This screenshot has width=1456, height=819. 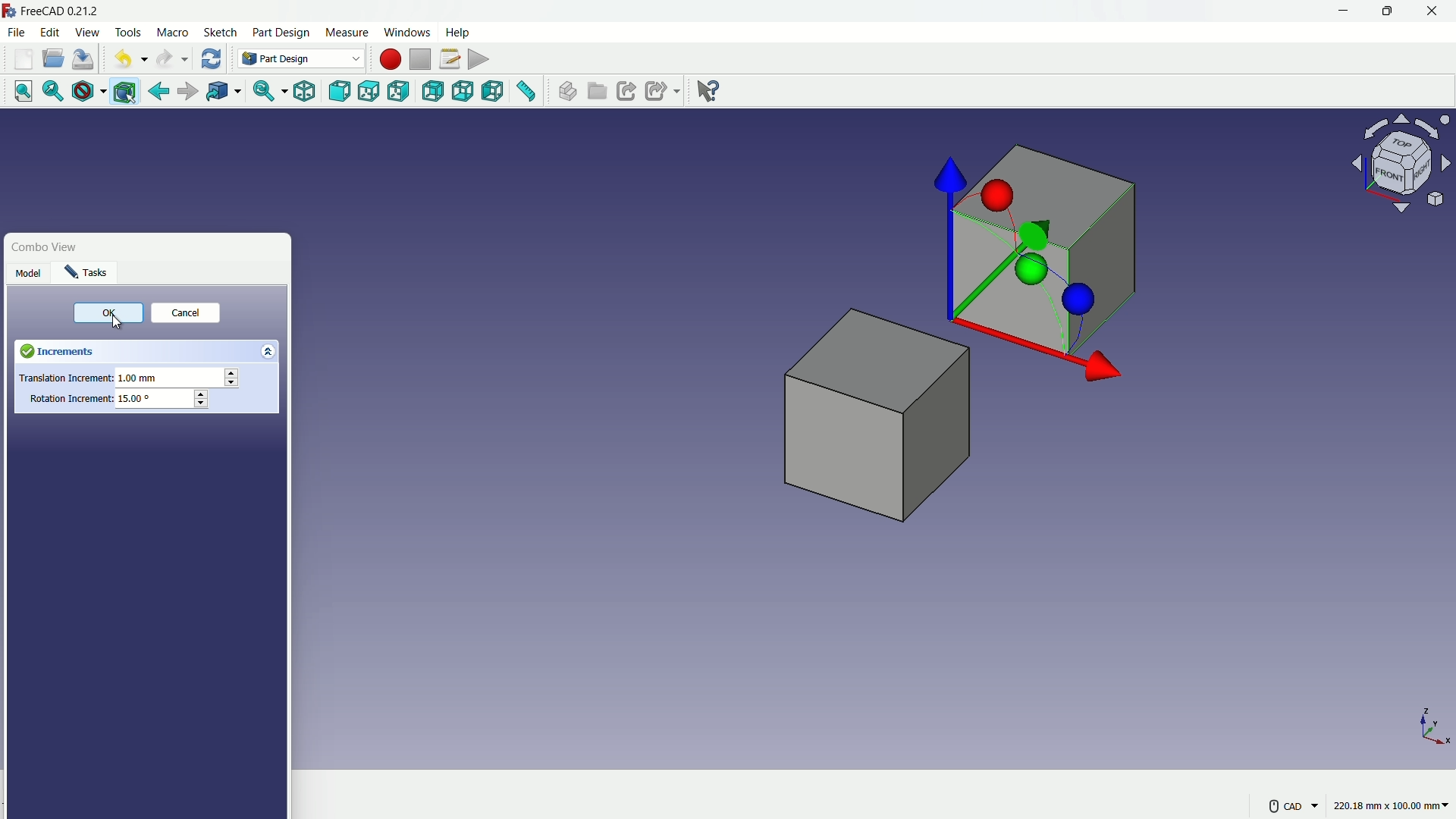 What do you see at coordinates (231, 378) in the screenshot?
I see `stepper button` at bounding box center [231, 378].